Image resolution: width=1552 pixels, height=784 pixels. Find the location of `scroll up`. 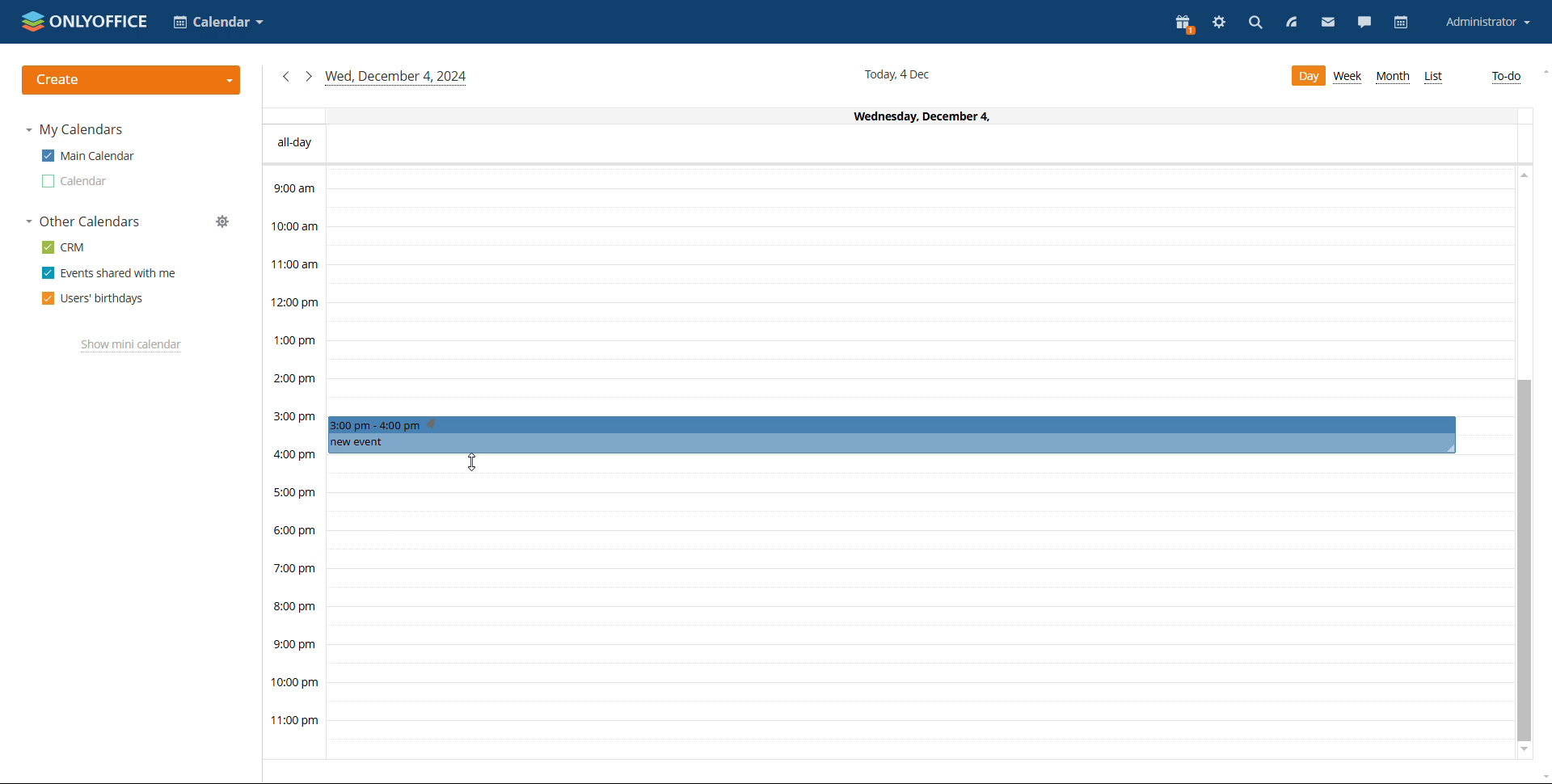

scroll up is located at coordinates (1542, 73).